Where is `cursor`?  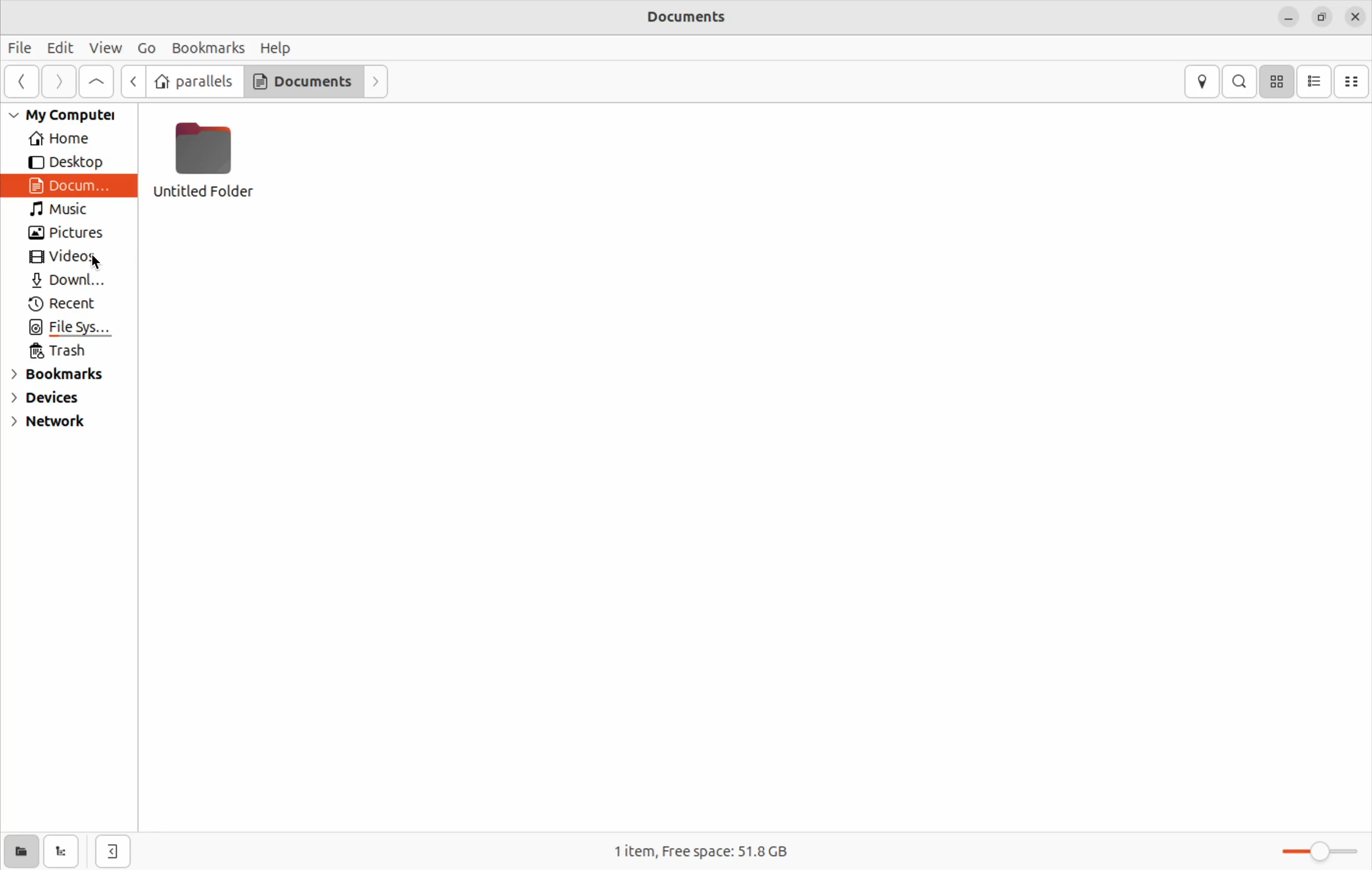 cursor is located at coordinates (99, 265).